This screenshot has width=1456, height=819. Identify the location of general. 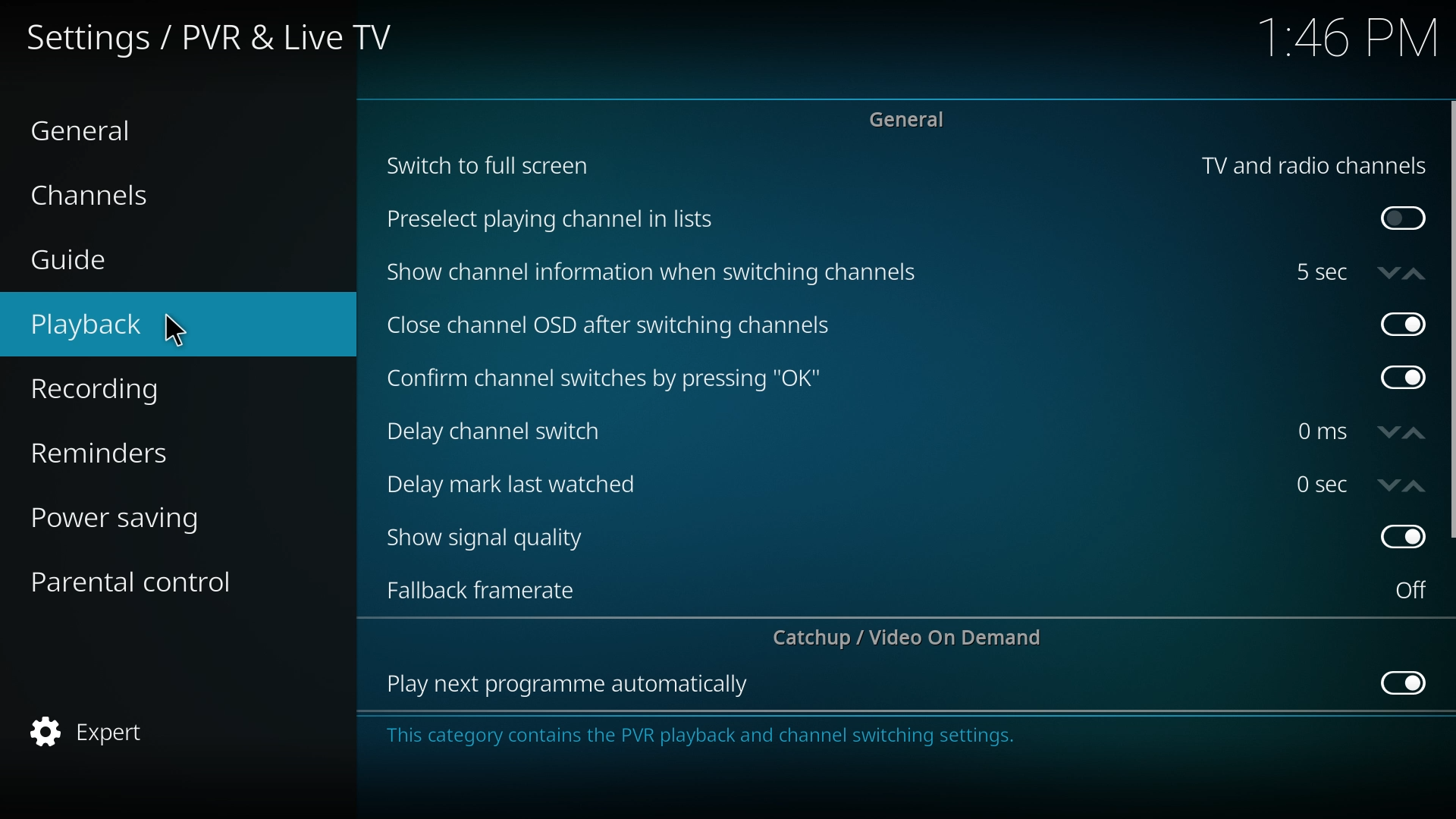
(107, 129).